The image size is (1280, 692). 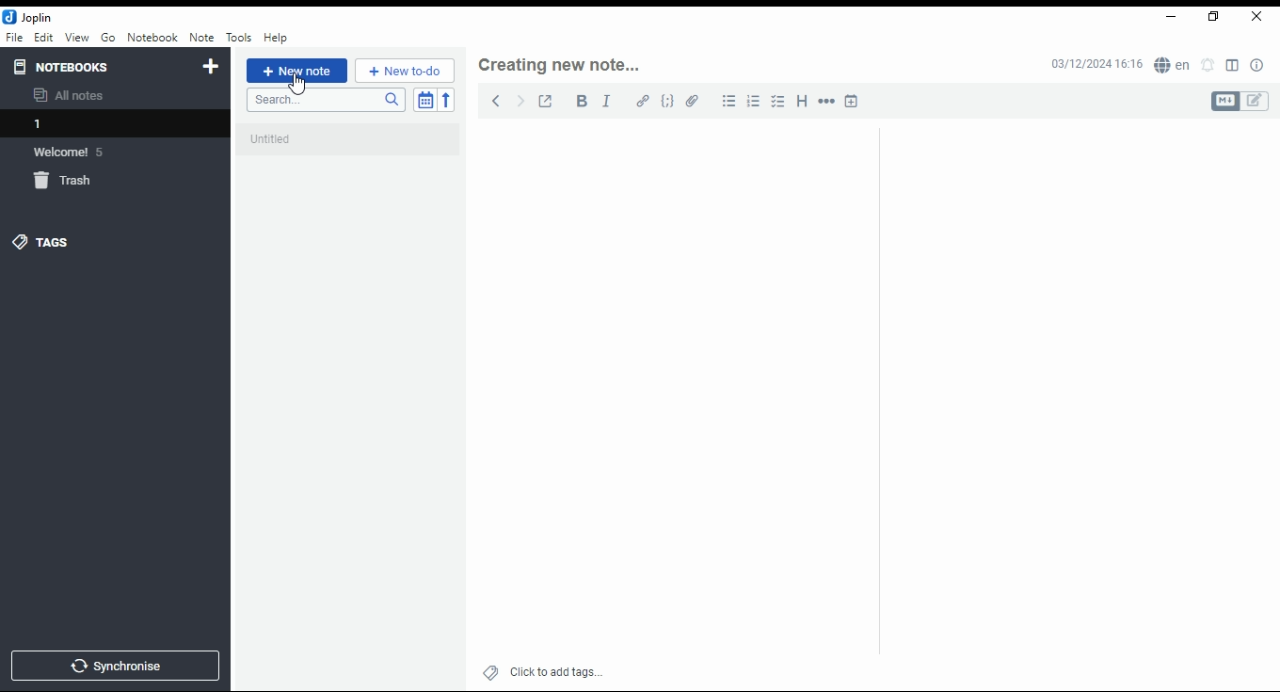 I want to click on notebook 1, so click(x=73, y=126).